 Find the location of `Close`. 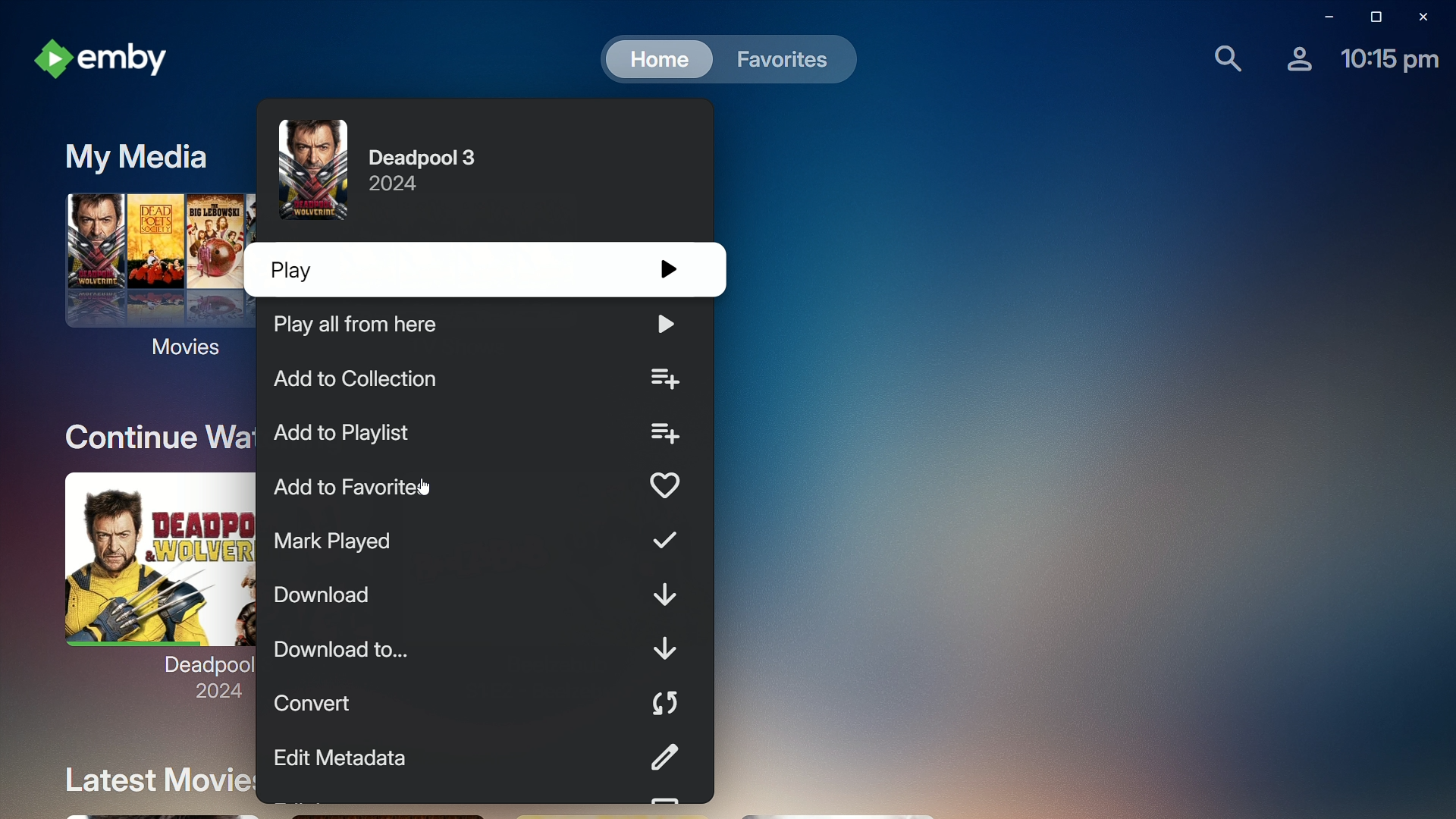

Close is located at coordinates (1426, 17).